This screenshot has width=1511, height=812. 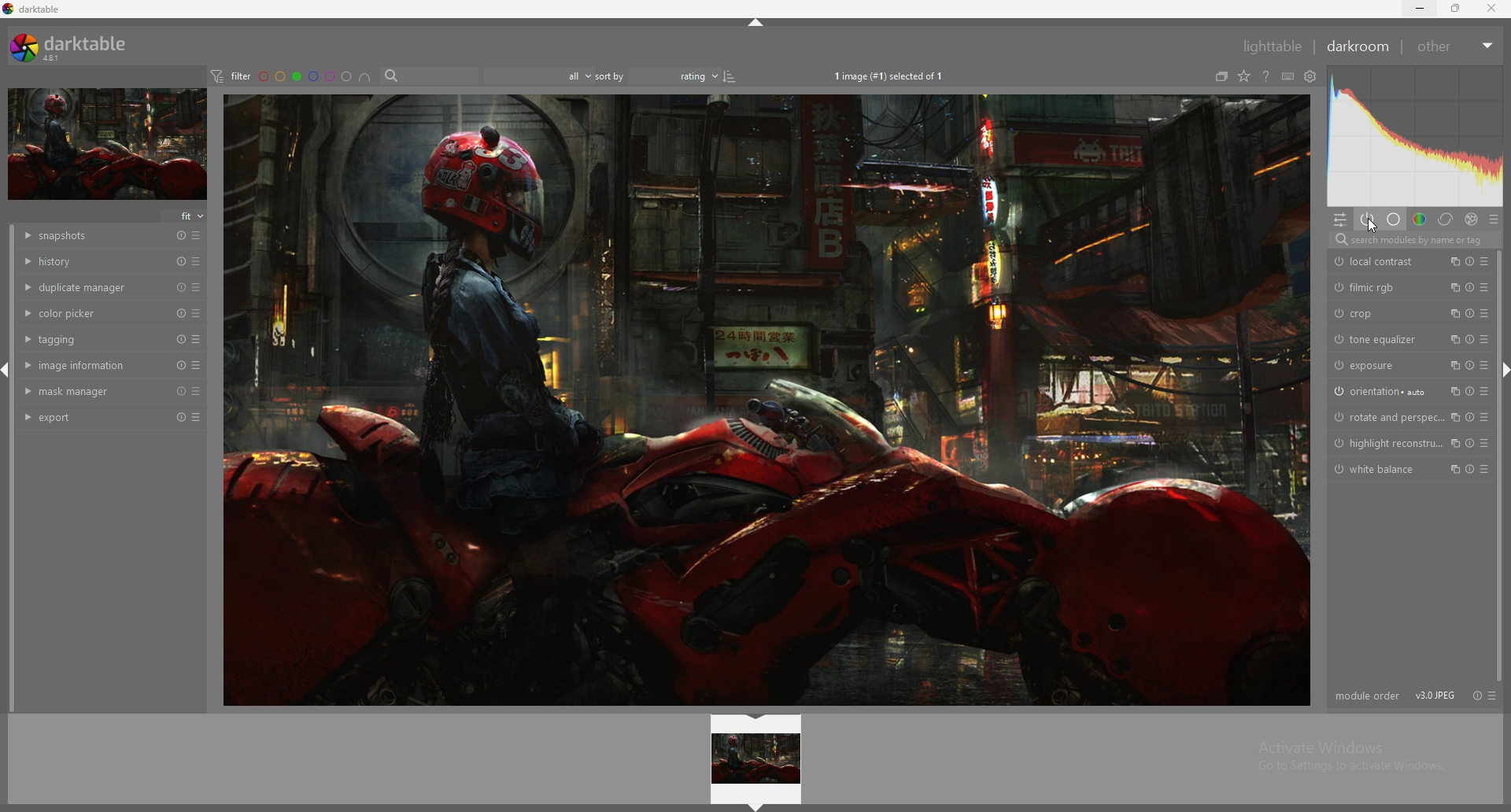 What do you see at coordinates (1492, 217) in the screenshot?
I see `presets` at bounding box center [1492, 217].